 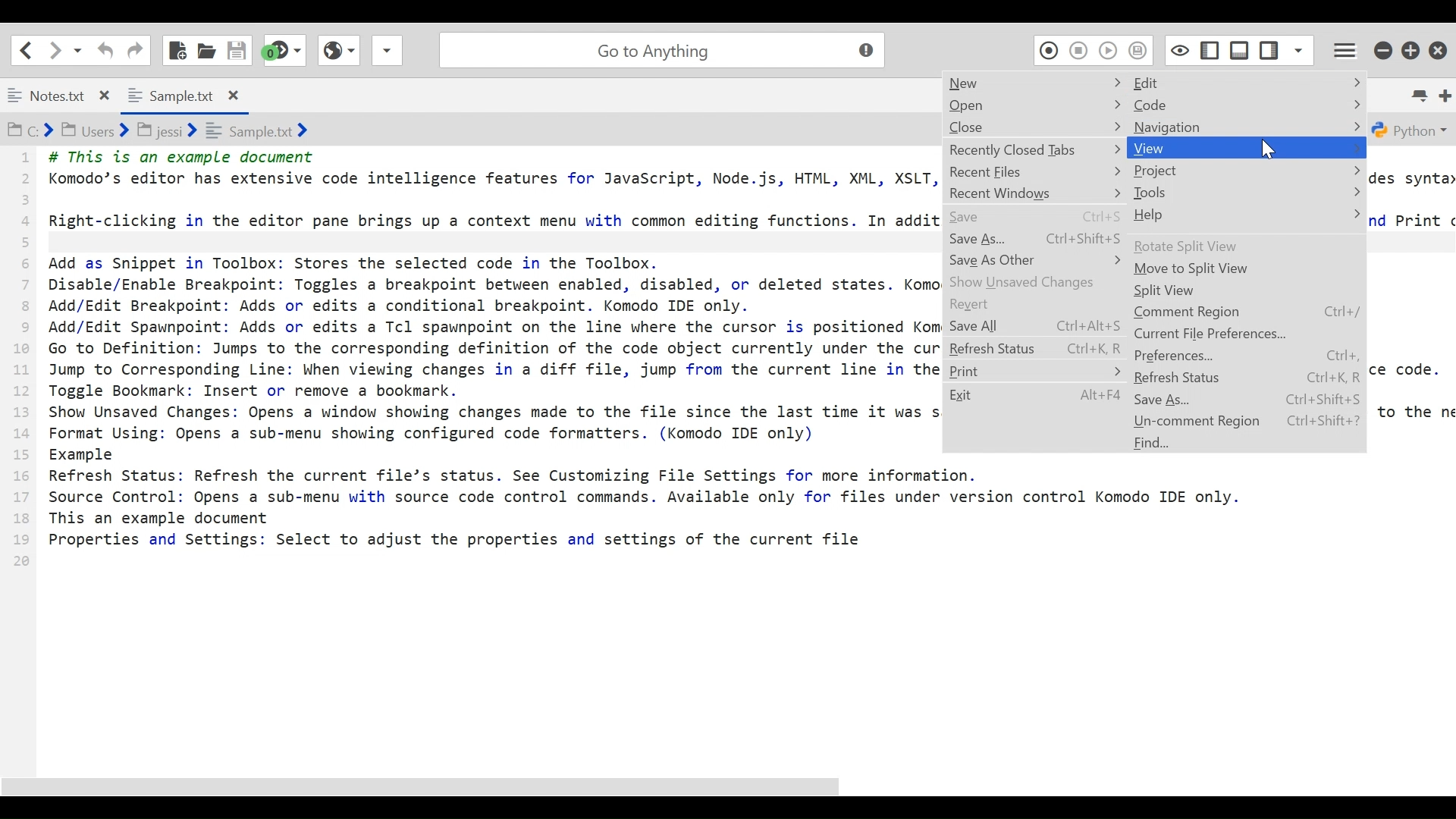 What do you see at coordinates (666, 50) in the screenshot?
I see `Go to Anything` at bounding box center [666, 50].